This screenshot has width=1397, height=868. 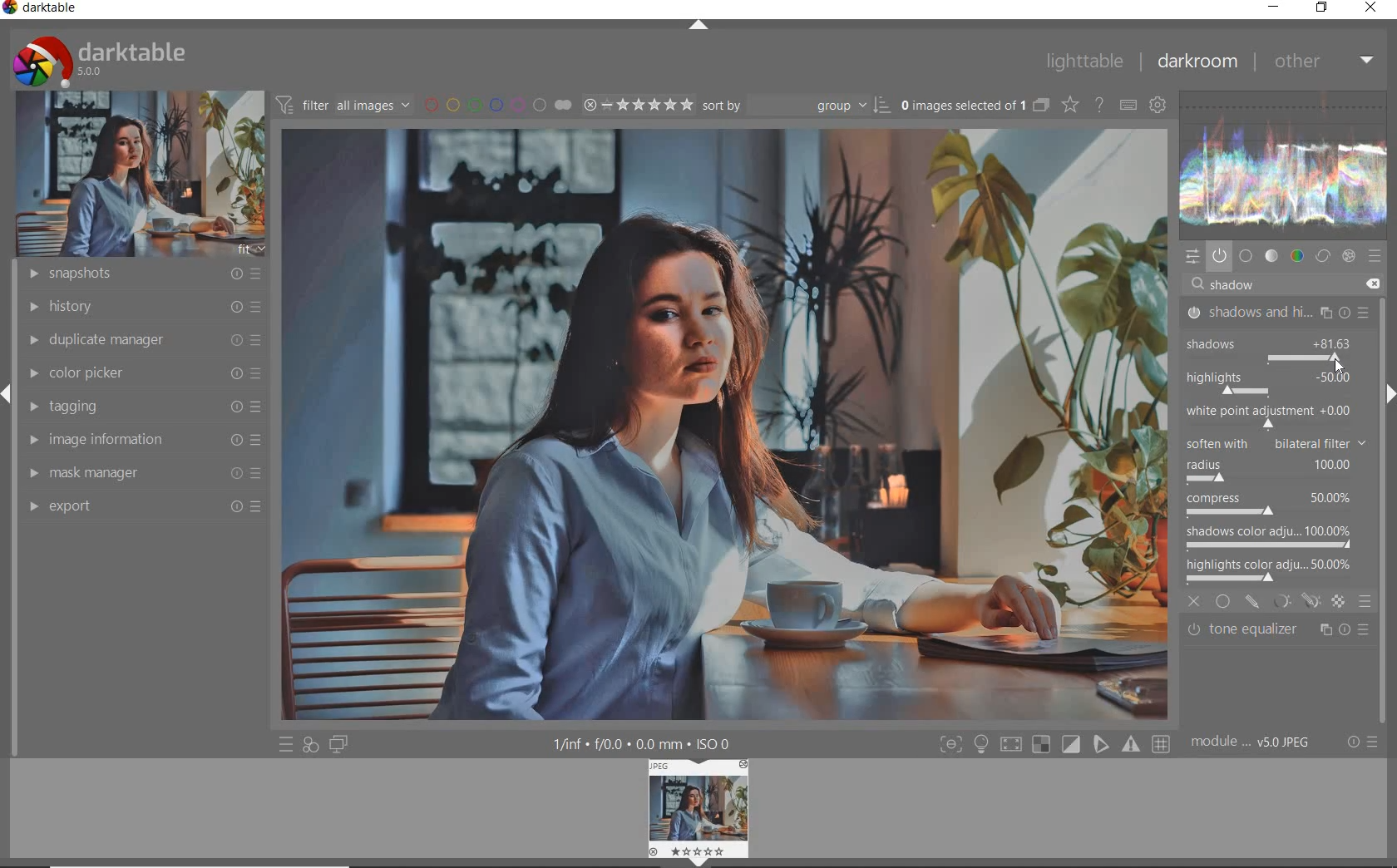 I want to click on tagging, so click(x=142, y=407).